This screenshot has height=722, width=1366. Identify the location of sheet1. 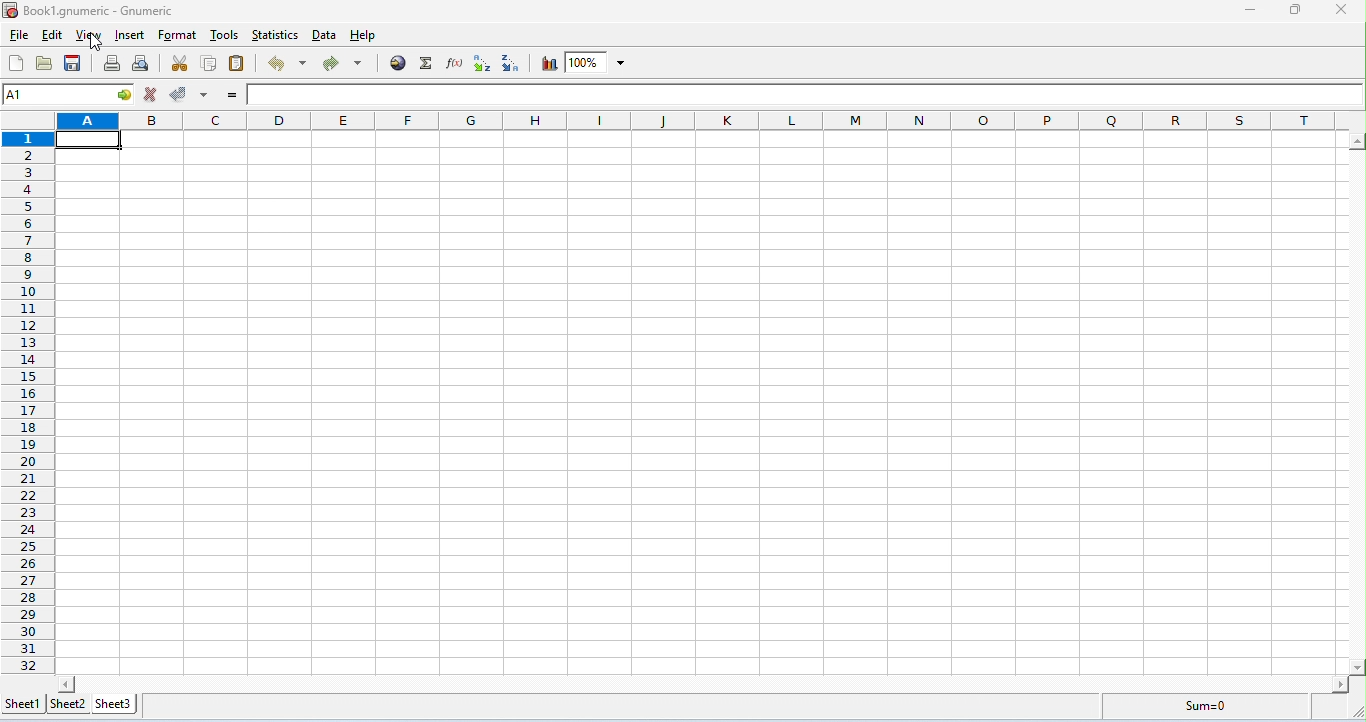
(21, 707).